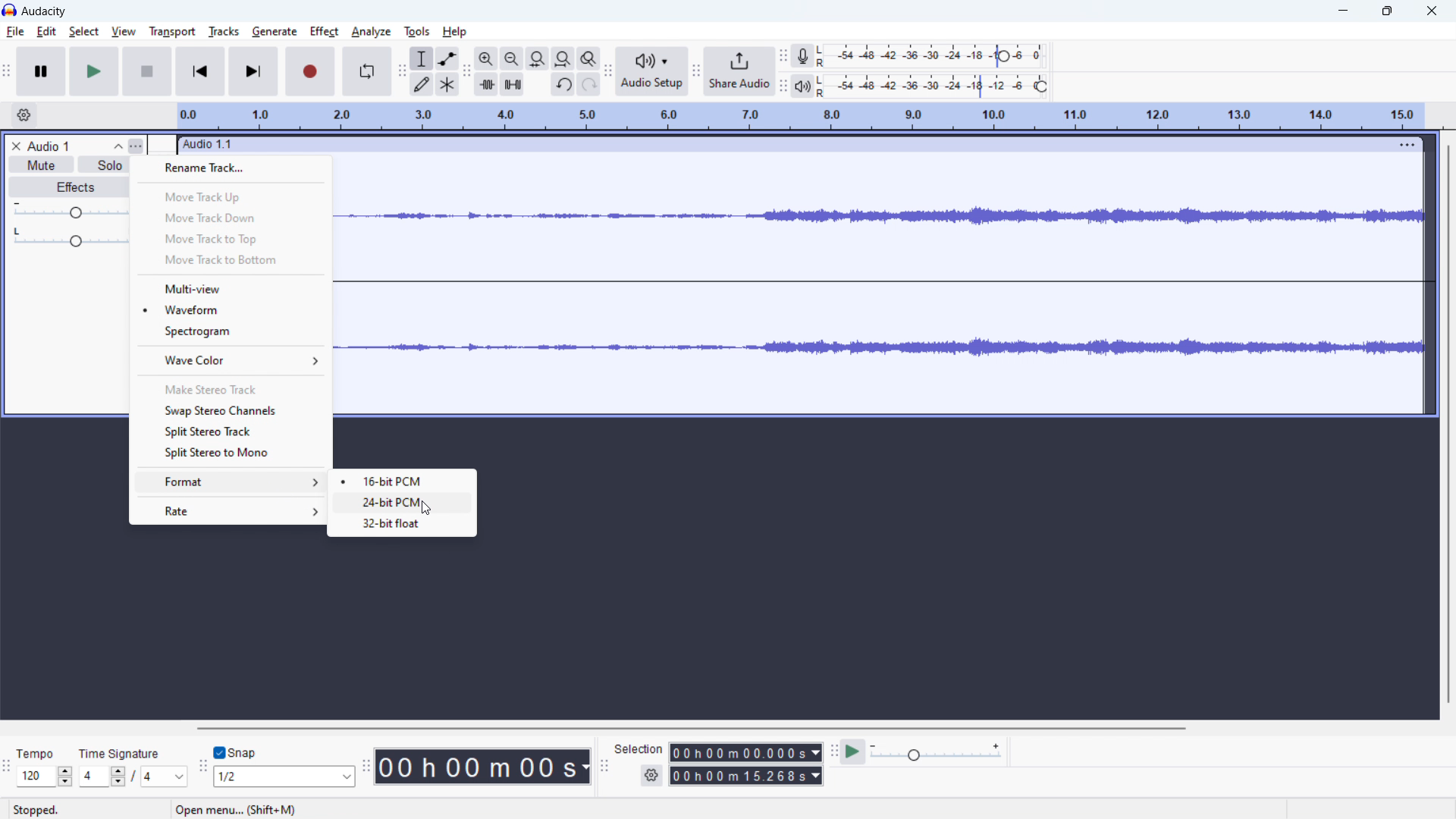  What do you see at coordinates (1446, 424) in the screenshot?
I see `vertical scroll bar` at bounding box center [1446, 424].